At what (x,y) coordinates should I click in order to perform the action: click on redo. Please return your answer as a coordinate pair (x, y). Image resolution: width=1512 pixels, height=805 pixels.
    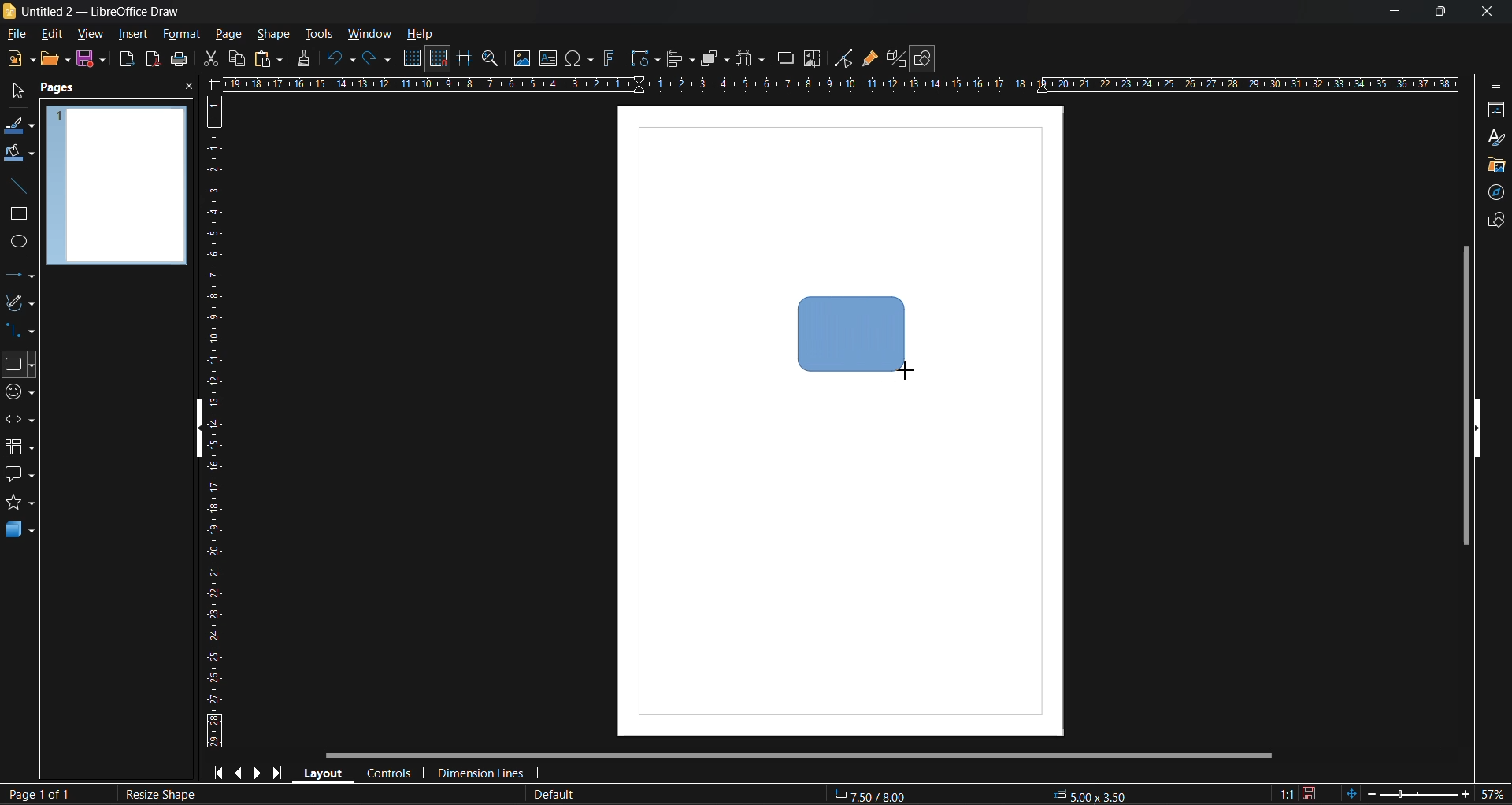
    Looking at the image, I should click on (377, 60).